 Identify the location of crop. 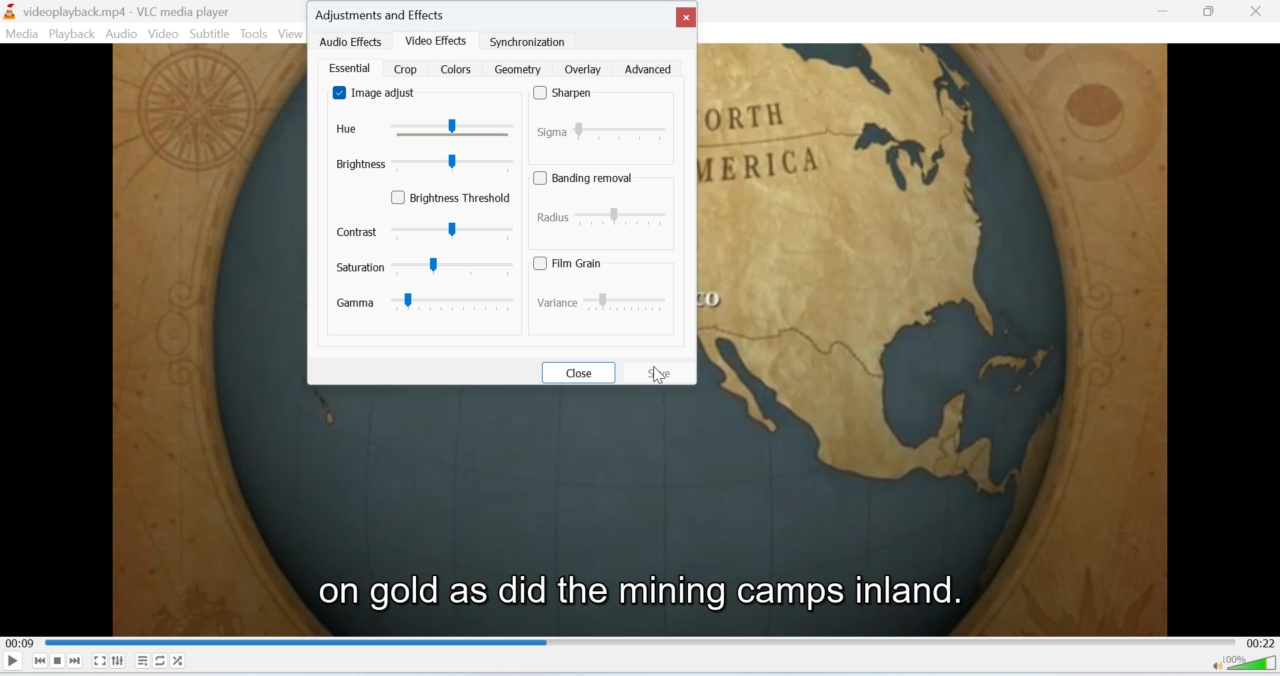
(405, 68).